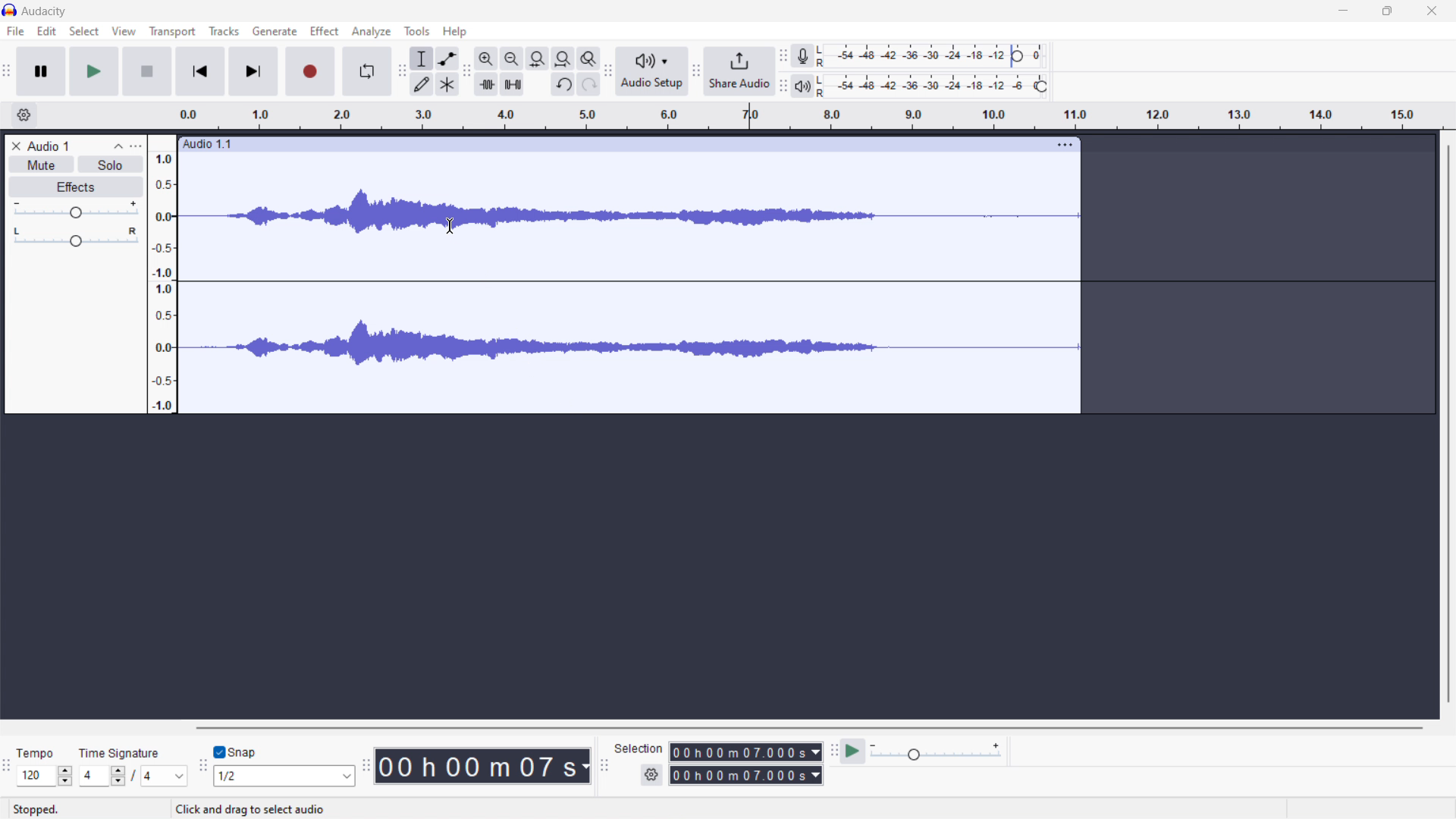 This screenshot has height=819, width=1456. Describe the element at coordinates (1066, 146) in the screenshot. I see `more options` at that location.